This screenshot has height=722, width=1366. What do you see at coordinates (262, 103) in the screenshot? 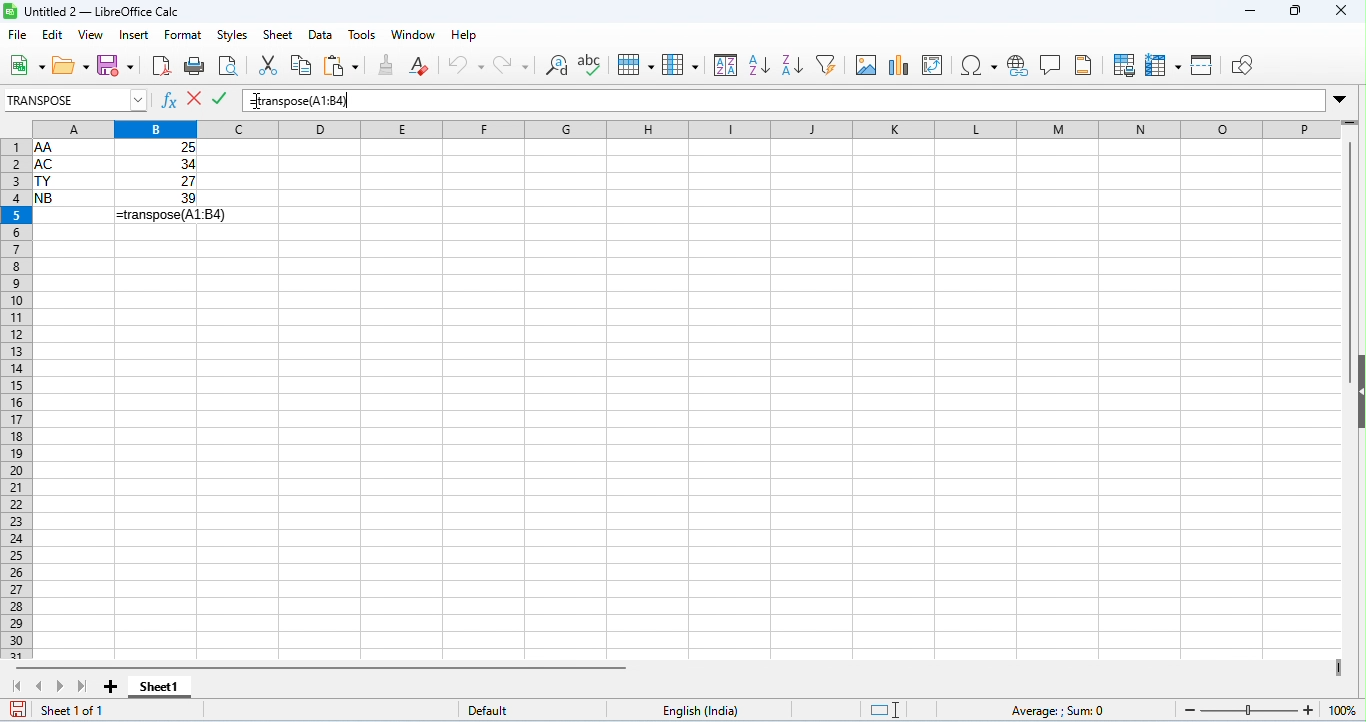
I see `cursor` at bounding box center [262, 103].